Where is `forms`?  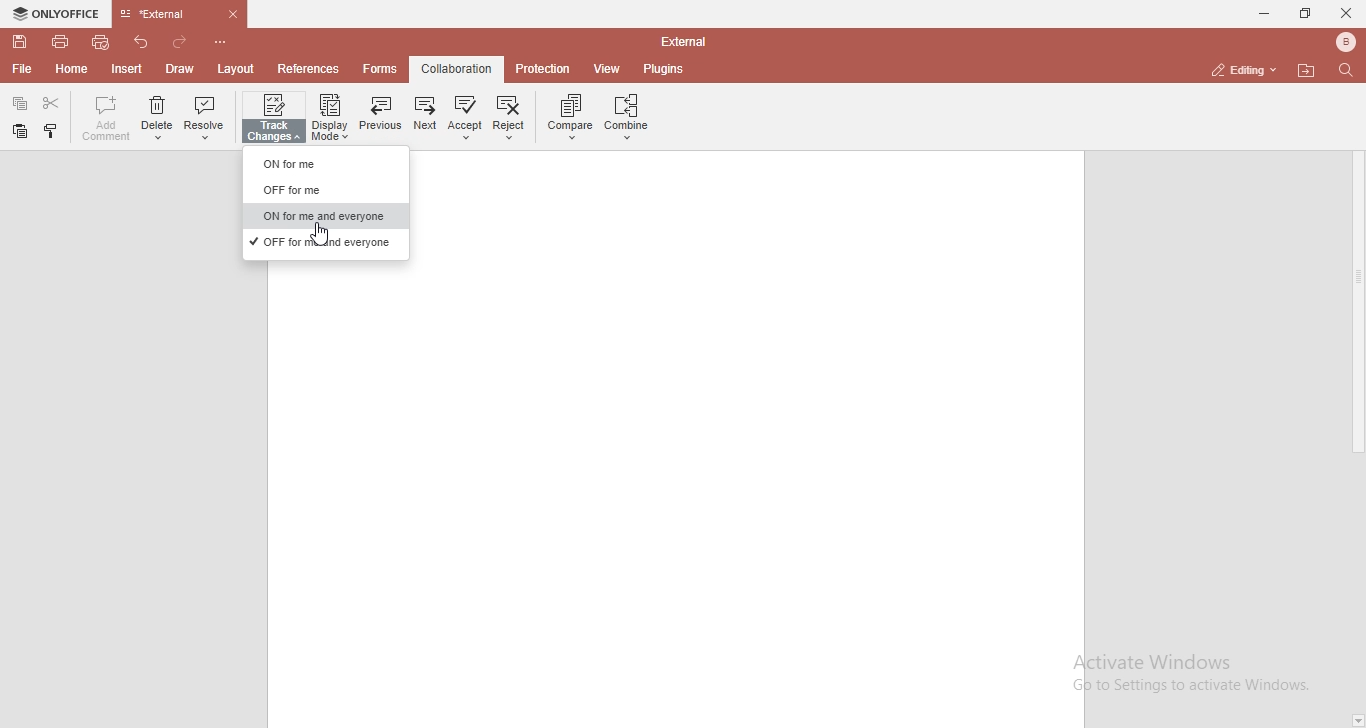
forms is located at coordinates (383, 69).